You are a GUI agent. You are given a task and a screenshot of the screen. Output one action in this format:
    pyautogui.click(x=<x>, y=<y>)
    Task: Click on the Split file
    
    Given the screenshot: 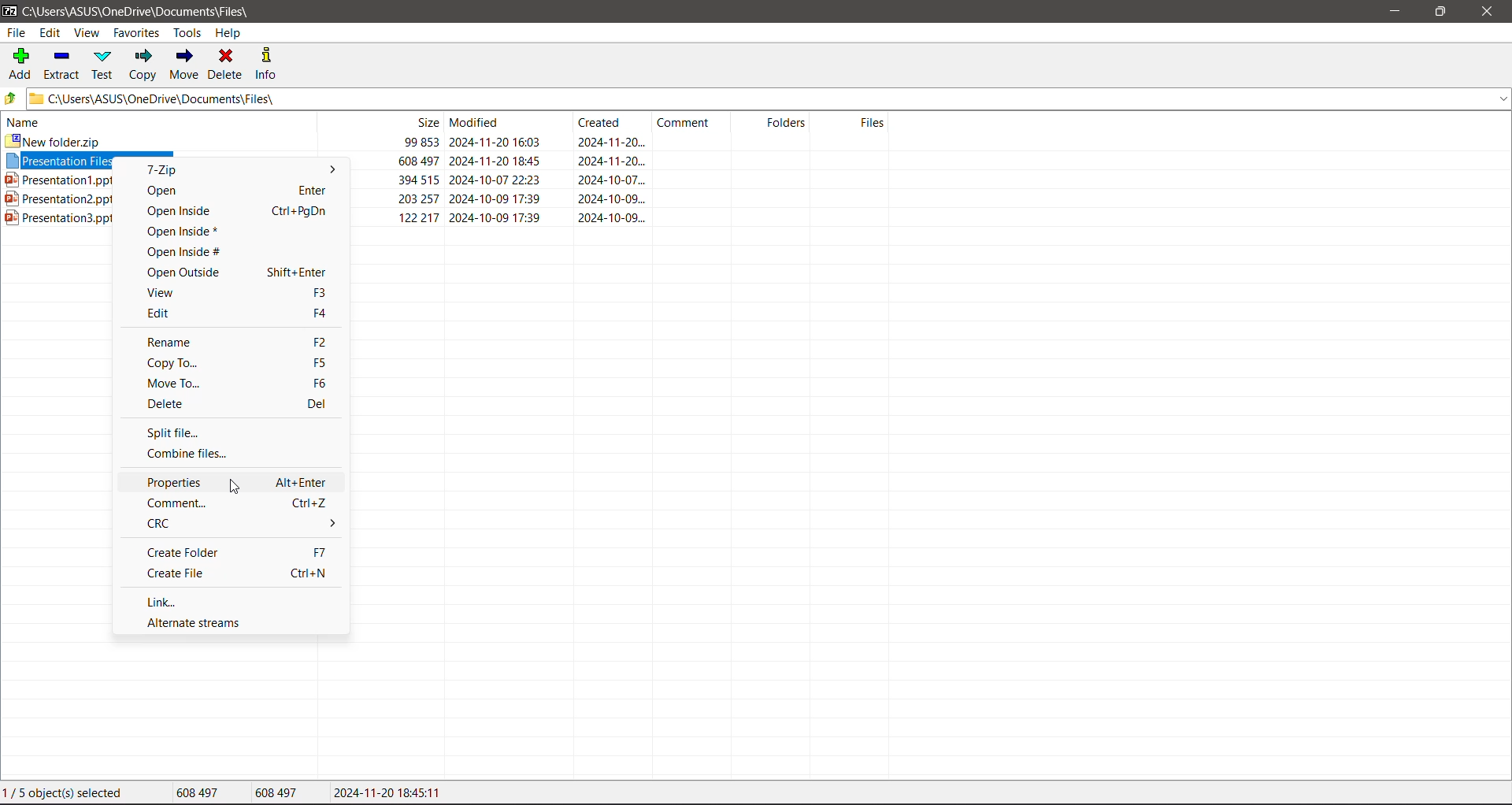 What is the action you would take?
    pyautogui.click(x=172, y=432)
    